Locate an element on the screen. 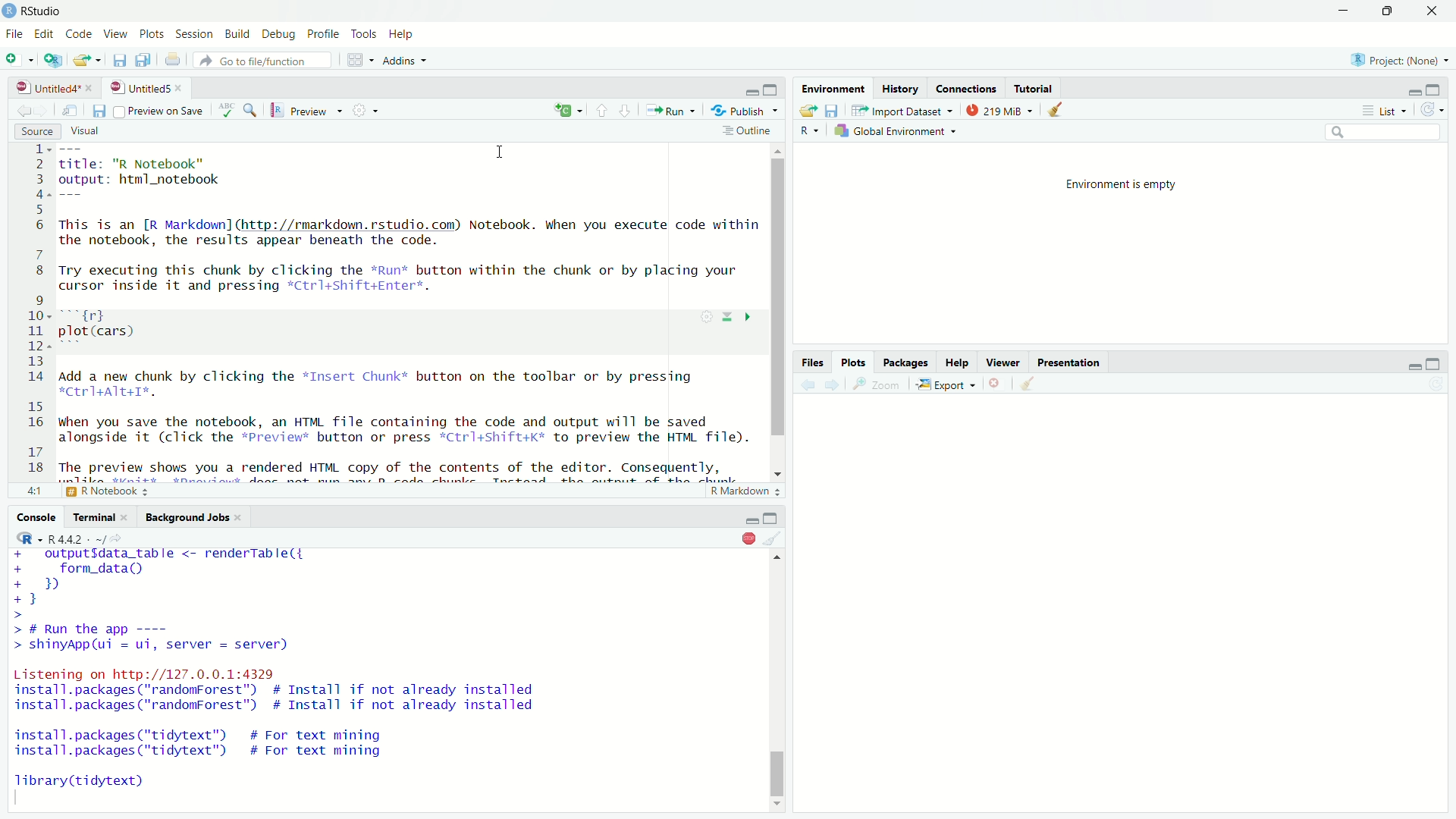 This screenshot has height=819, width=1456. Go forward to next source location is located at coordinates (44, 109).